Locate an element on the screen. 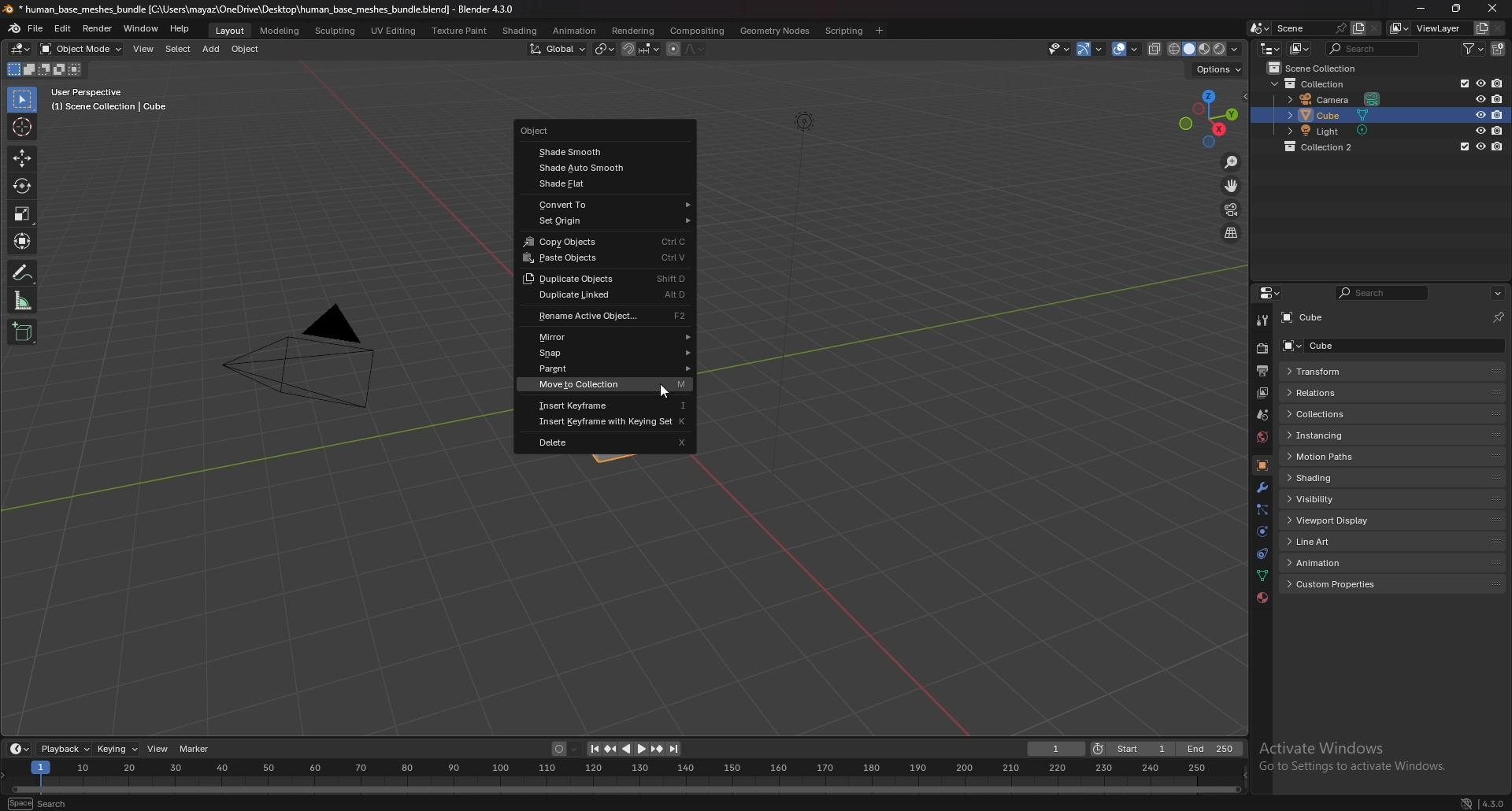 The width and height of the screenshot is (1512, 811). auto keying is located at coordinates (567, 749).